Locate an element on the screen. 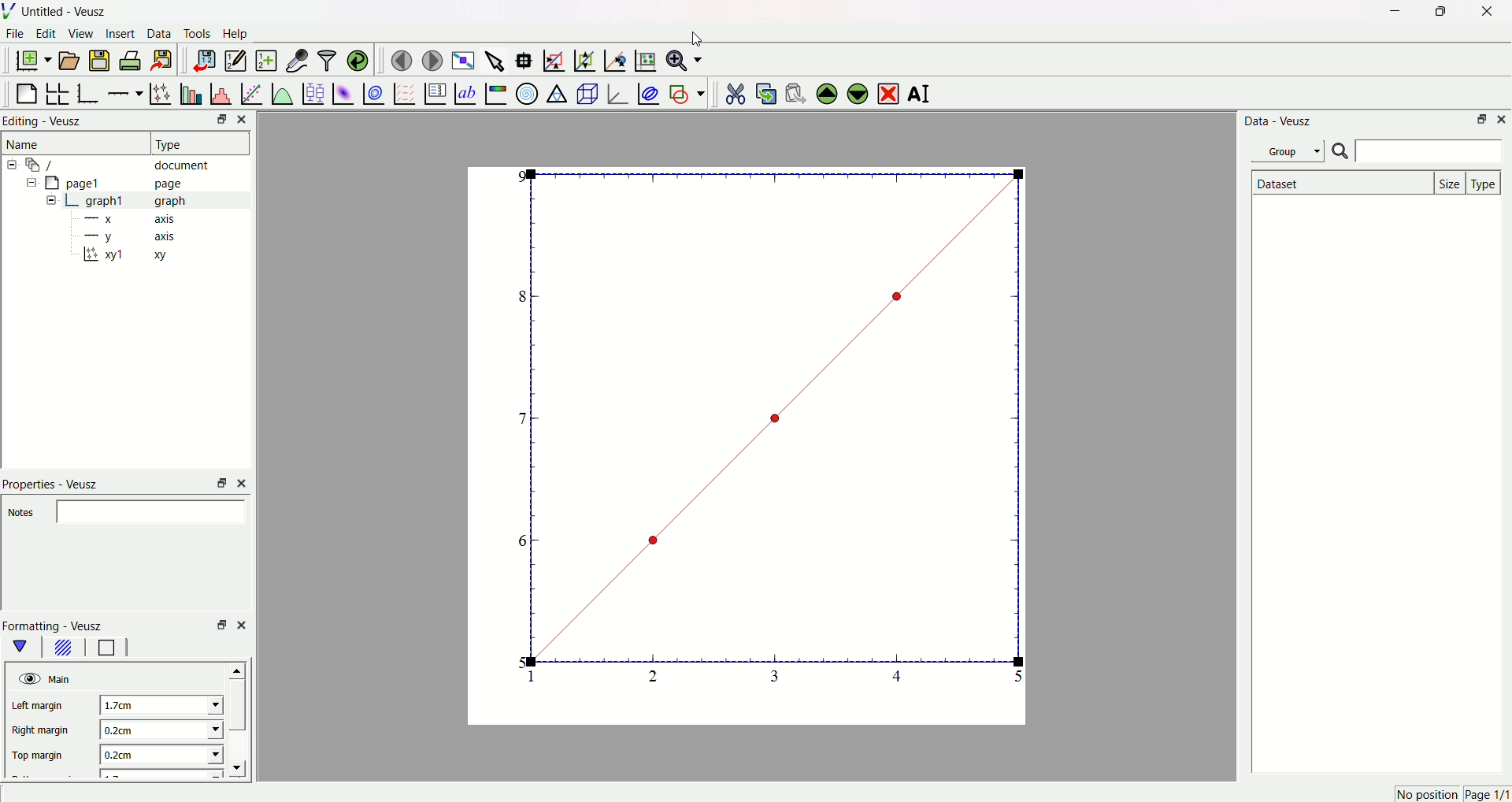 The height and width of the screenshot is (802, 1512). move down is located at coordinates (244, 768).